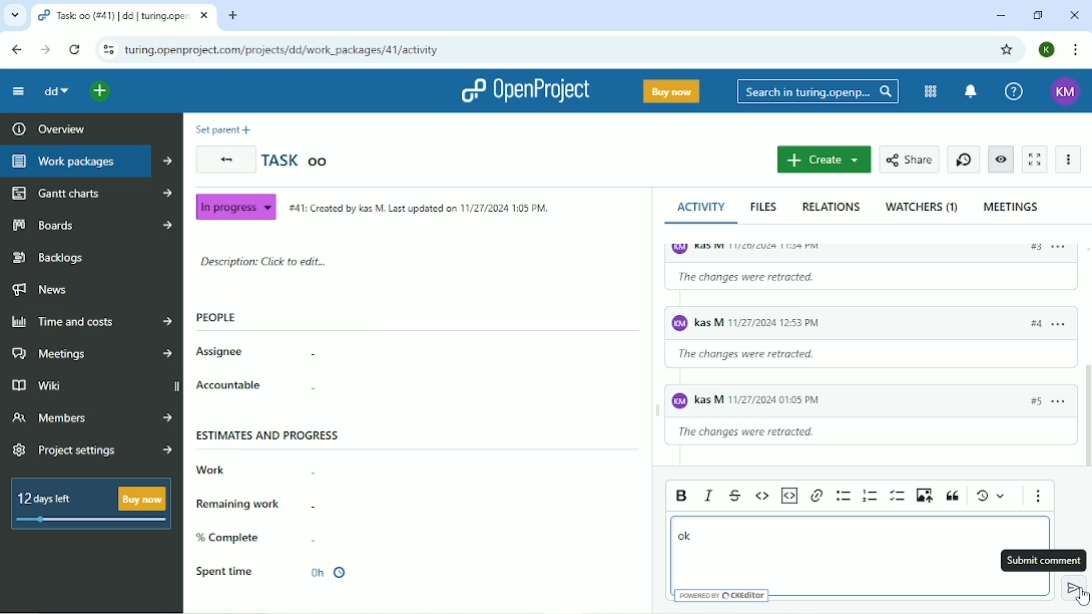 Image resolution: width=1092 pixels, height=614 pixels. I want to click on New tab, so click(234, 16).